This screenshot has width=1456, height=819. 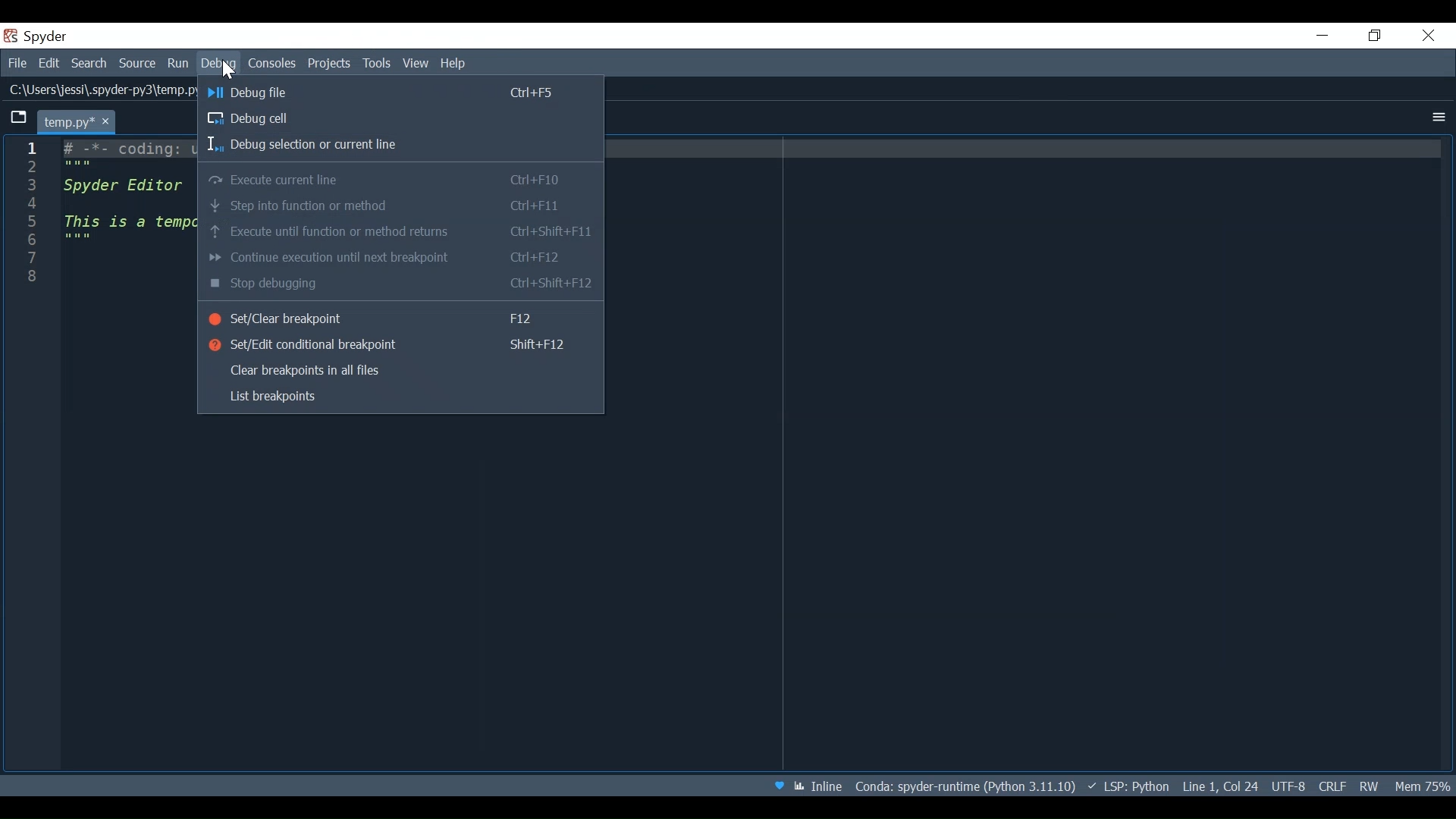 I want to click on View, so click(x=416, y=65).